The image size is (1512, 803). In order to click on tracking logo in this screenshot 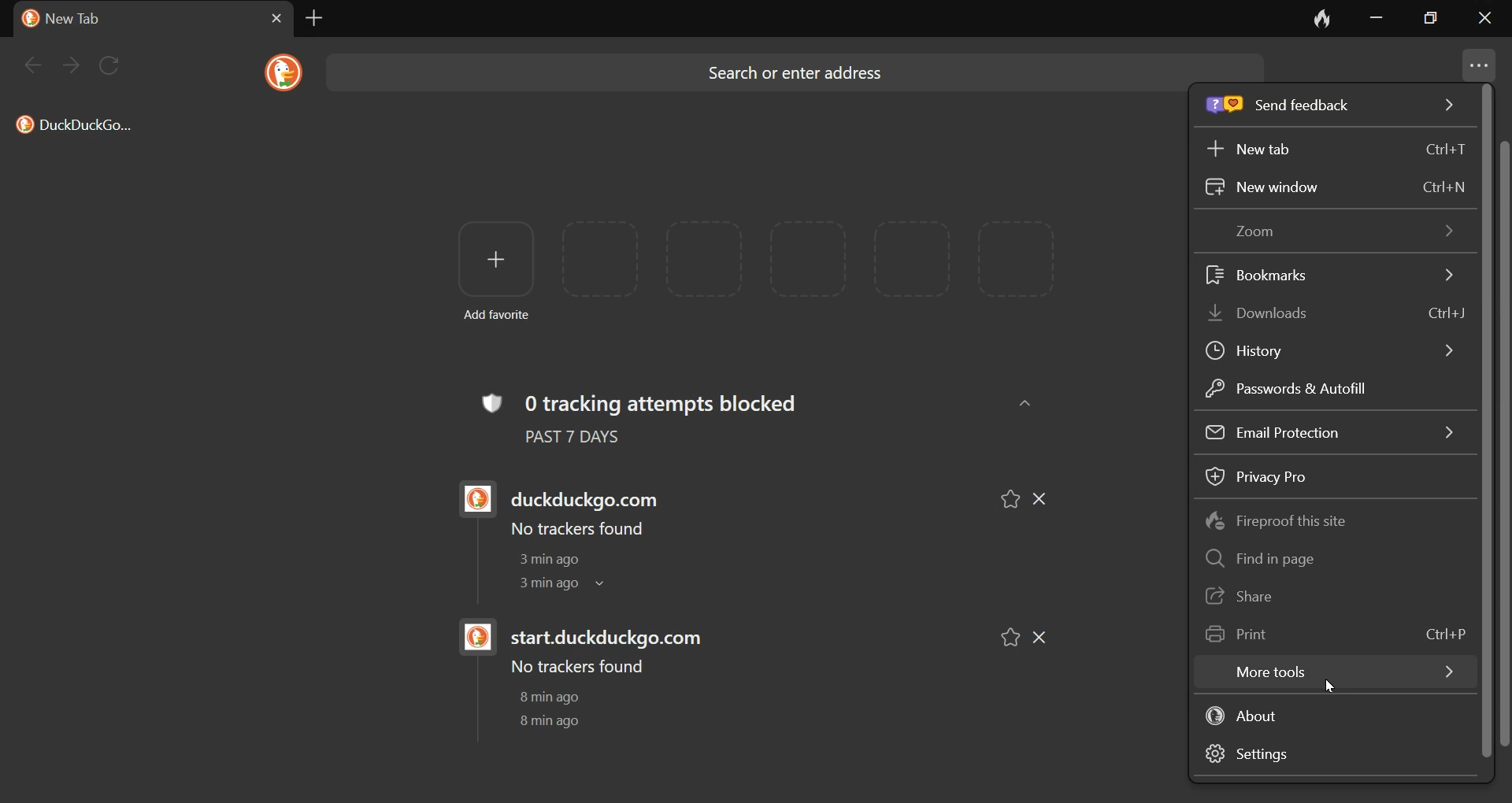, I will do `click(490, 400)`.